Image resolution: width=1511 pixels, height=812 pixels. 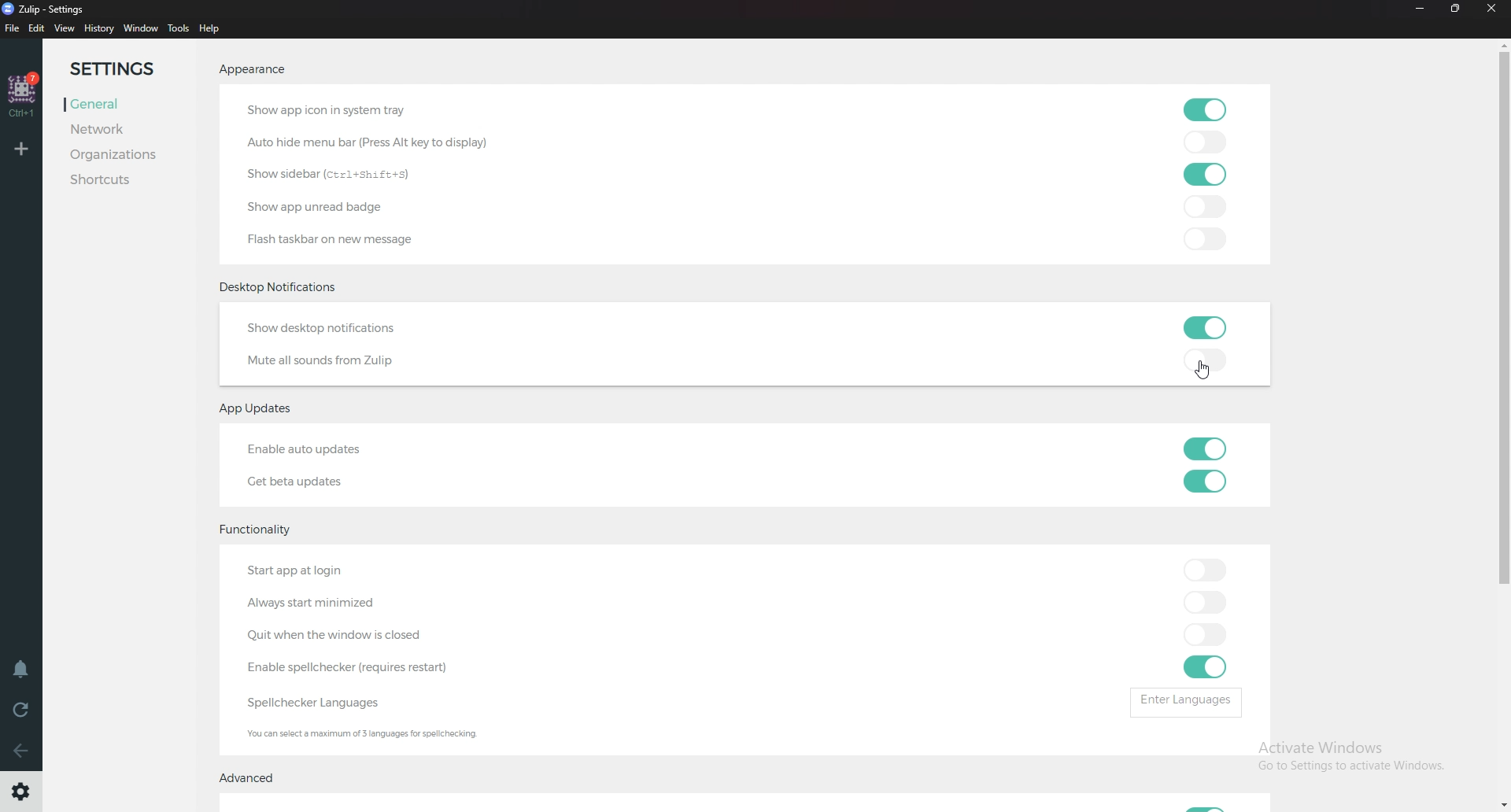 What do you see at coordinates (255, 777) in the screenshot?
I see `Advanced` at bounding box center [255, 777].